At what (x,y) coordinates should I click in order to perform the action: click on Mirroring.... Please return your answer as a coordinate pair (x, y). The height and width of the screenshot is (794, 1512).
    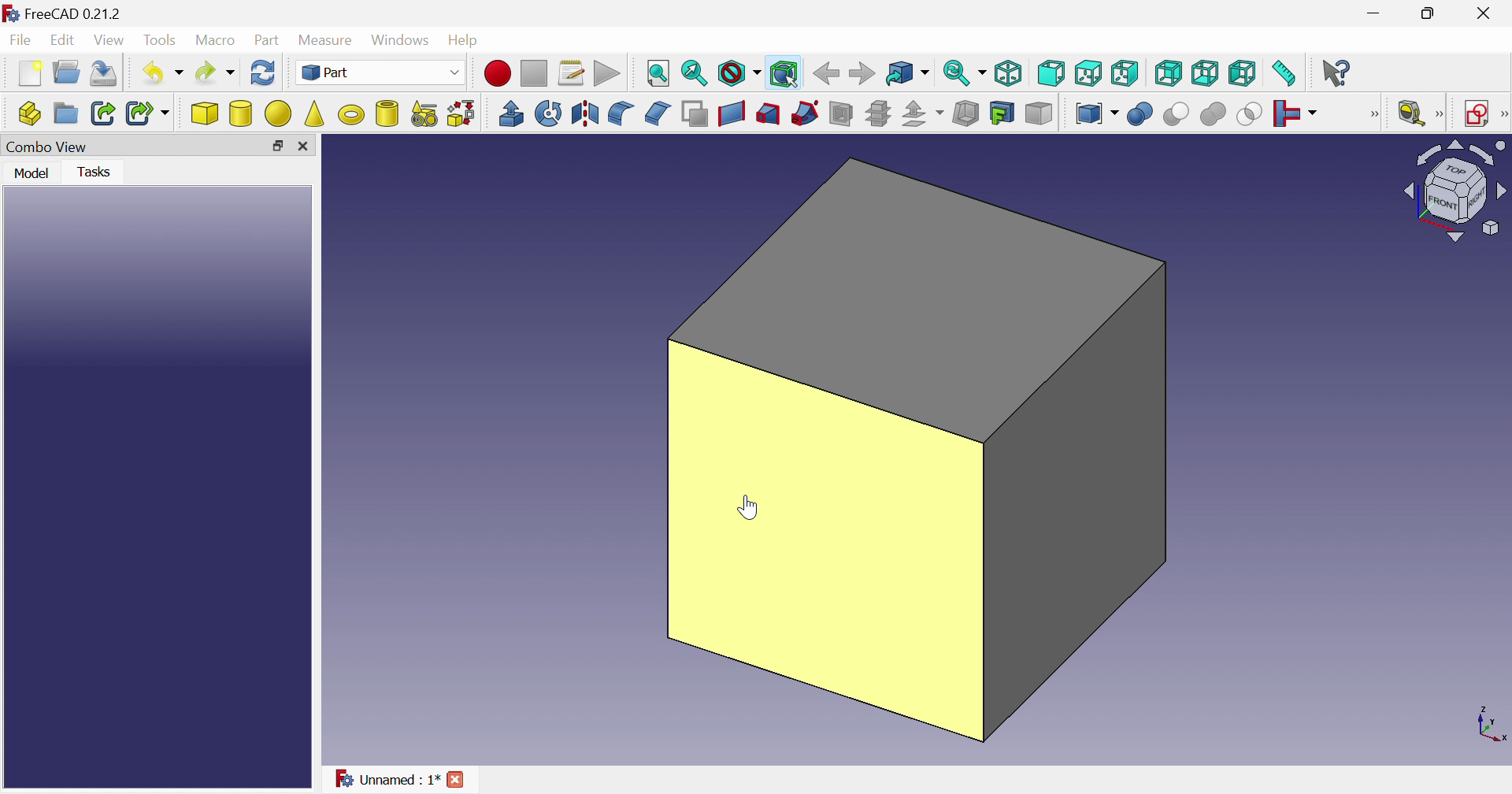
    Looking at the image, I should click on (583, 113).